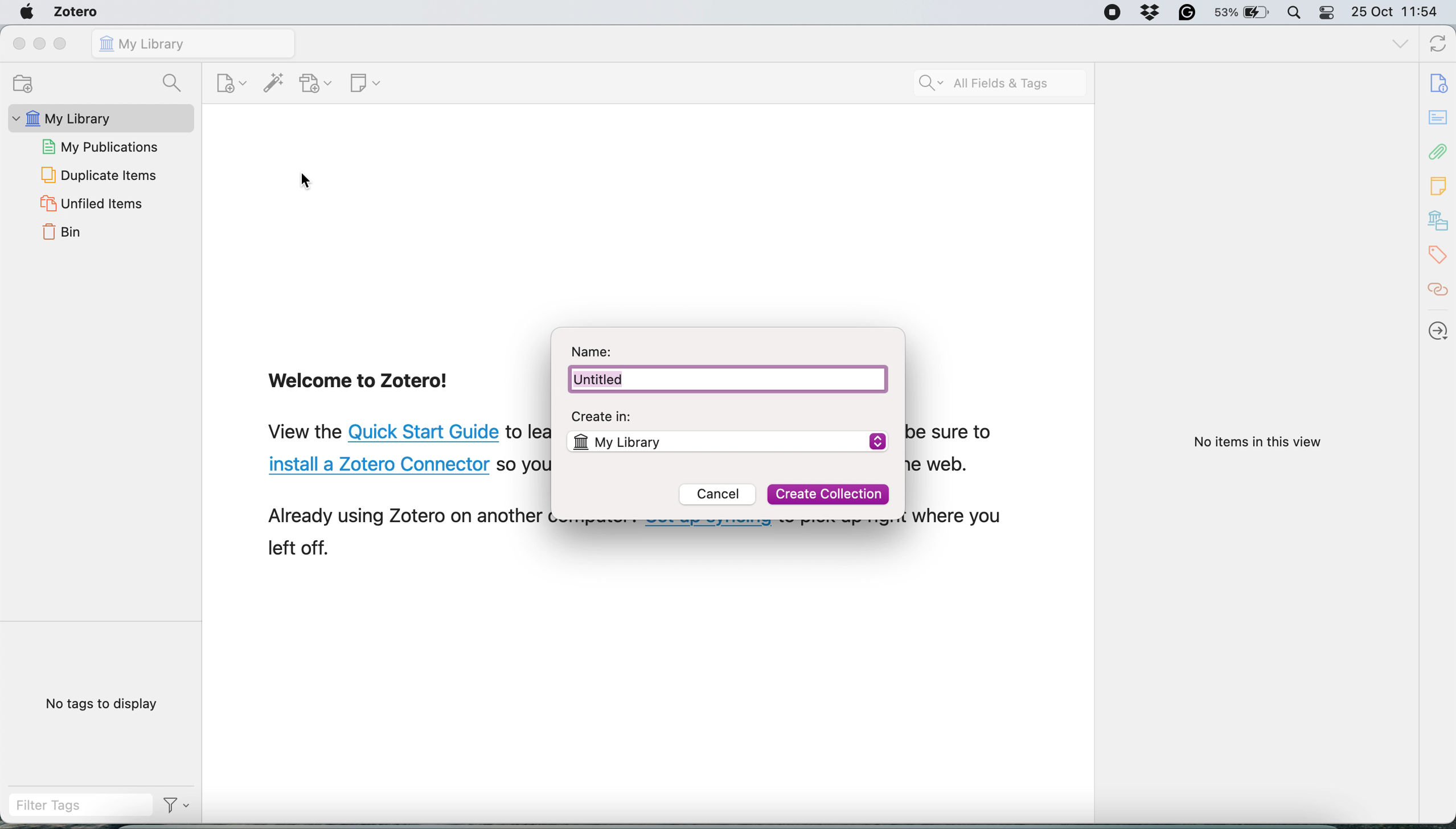 Image resolution: width=1456 pixels, height=829 pixels. Describe the element at coordinates (105, 705) in the screenshot. I see `No tags to display` at that location.